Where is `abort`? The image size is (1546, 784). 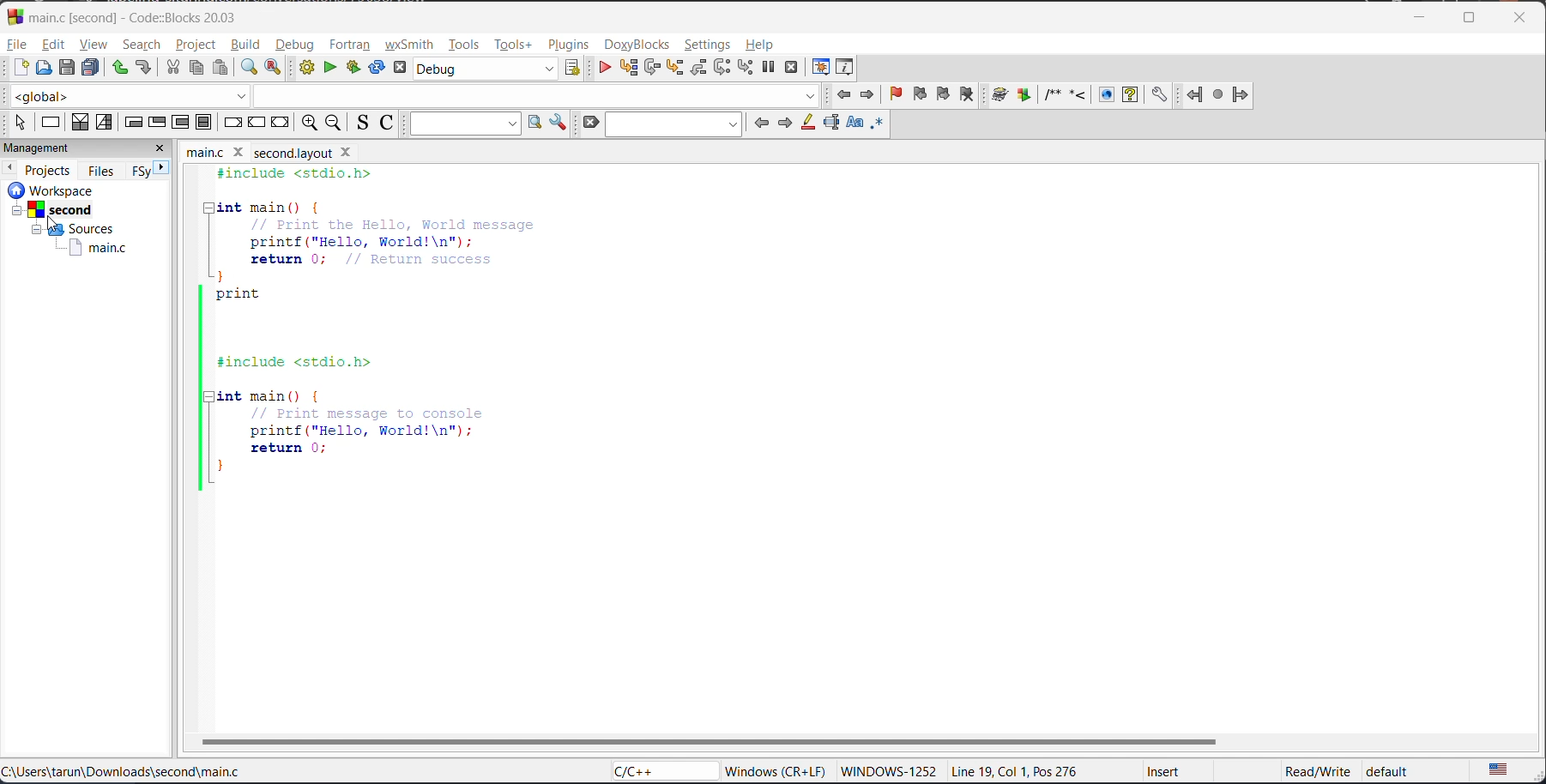 abort is located at coordinates (397, 67).